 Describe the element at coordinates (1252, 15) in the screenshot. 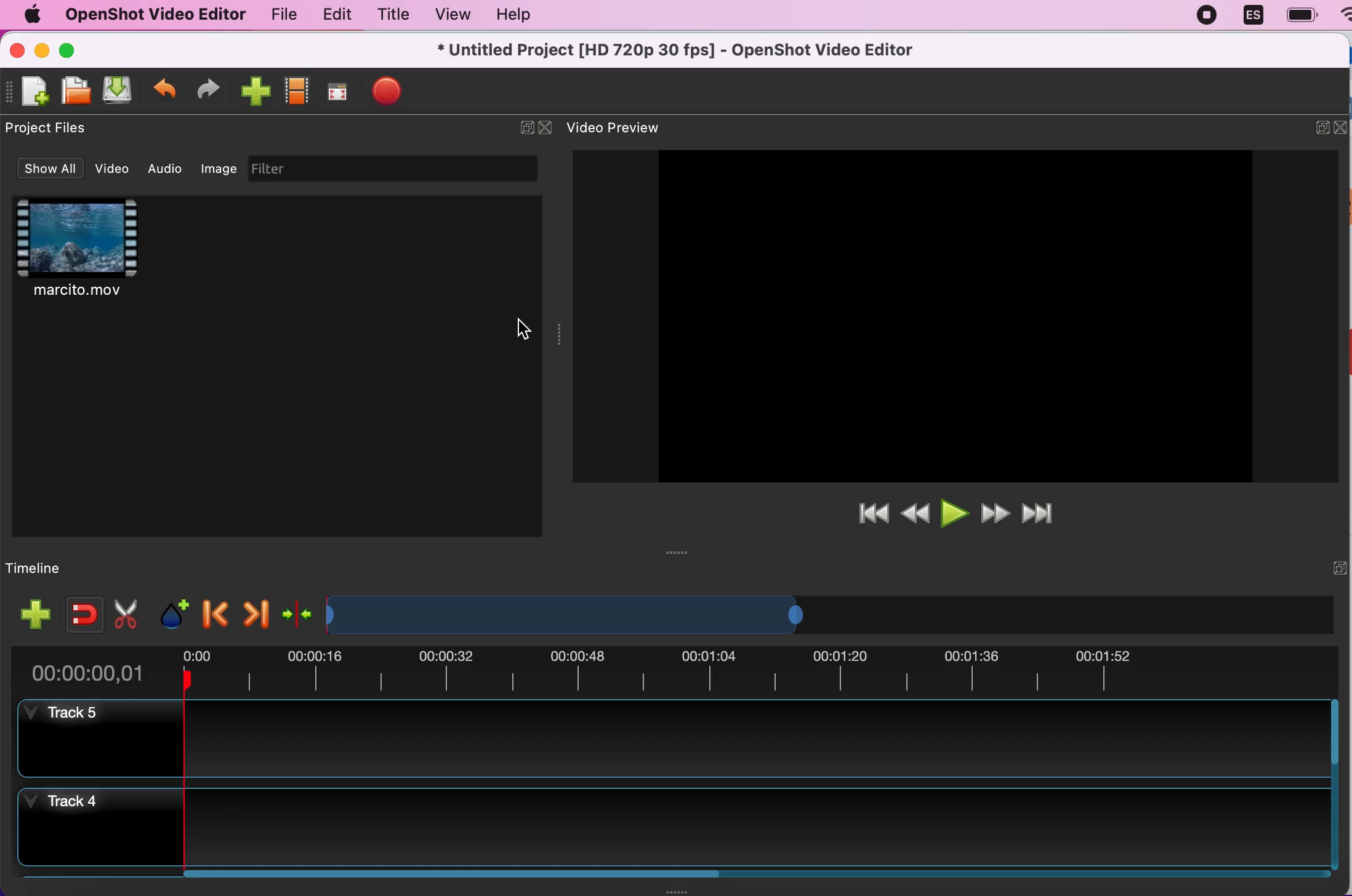

I see `language` at that location.